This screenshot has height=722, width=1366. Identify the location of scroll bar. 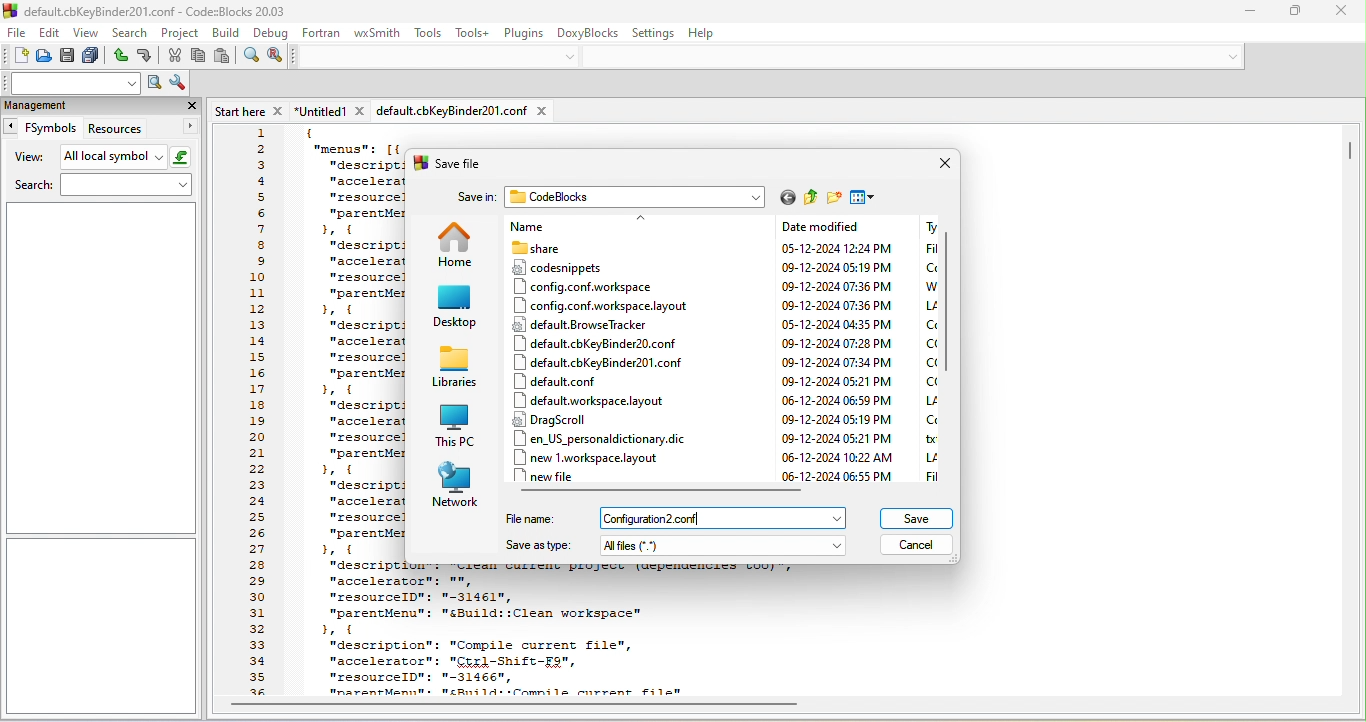
(1351, 152).